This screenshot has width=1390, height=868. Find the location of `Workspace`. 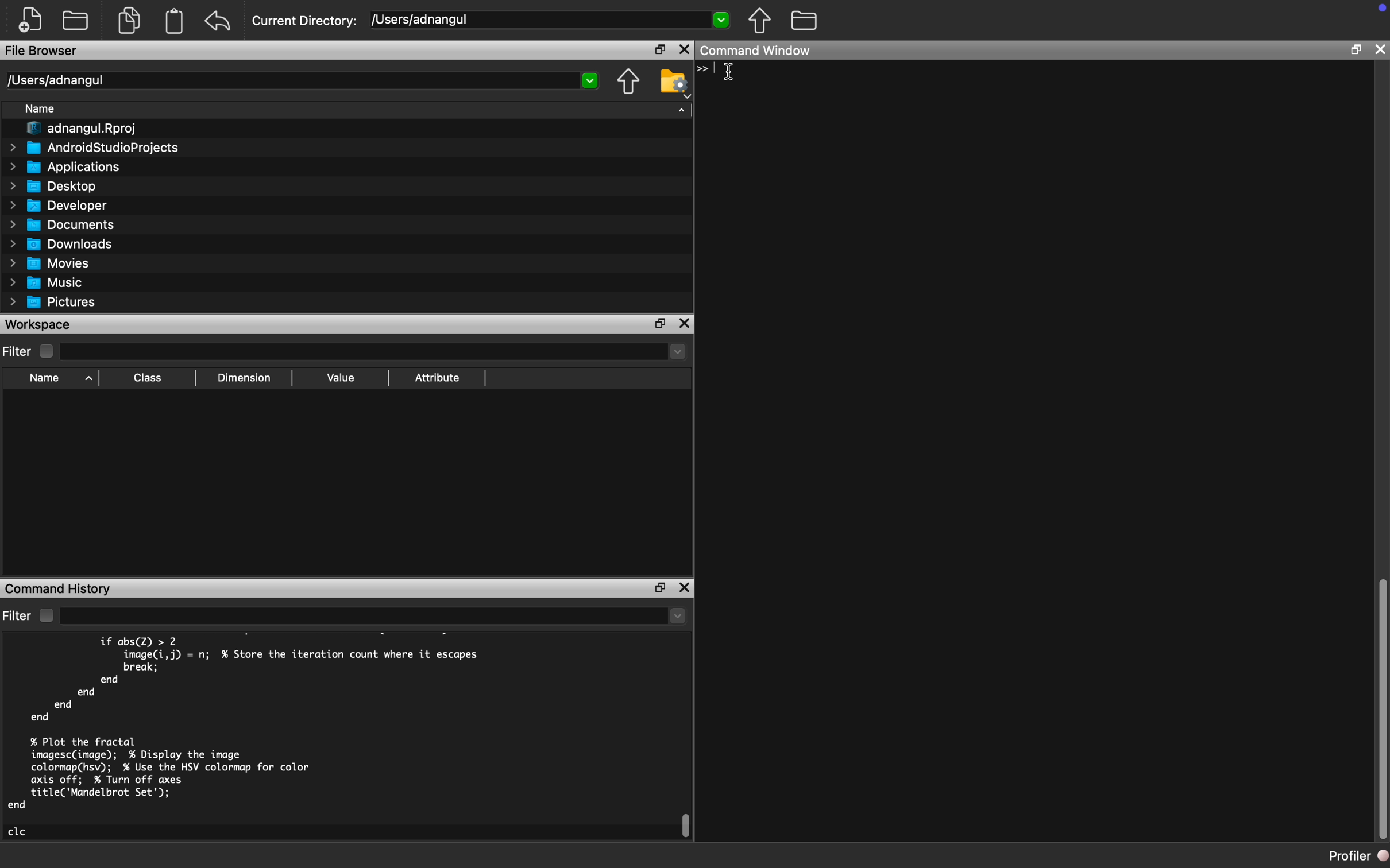

Workspace is located at coordinates (41, 324).